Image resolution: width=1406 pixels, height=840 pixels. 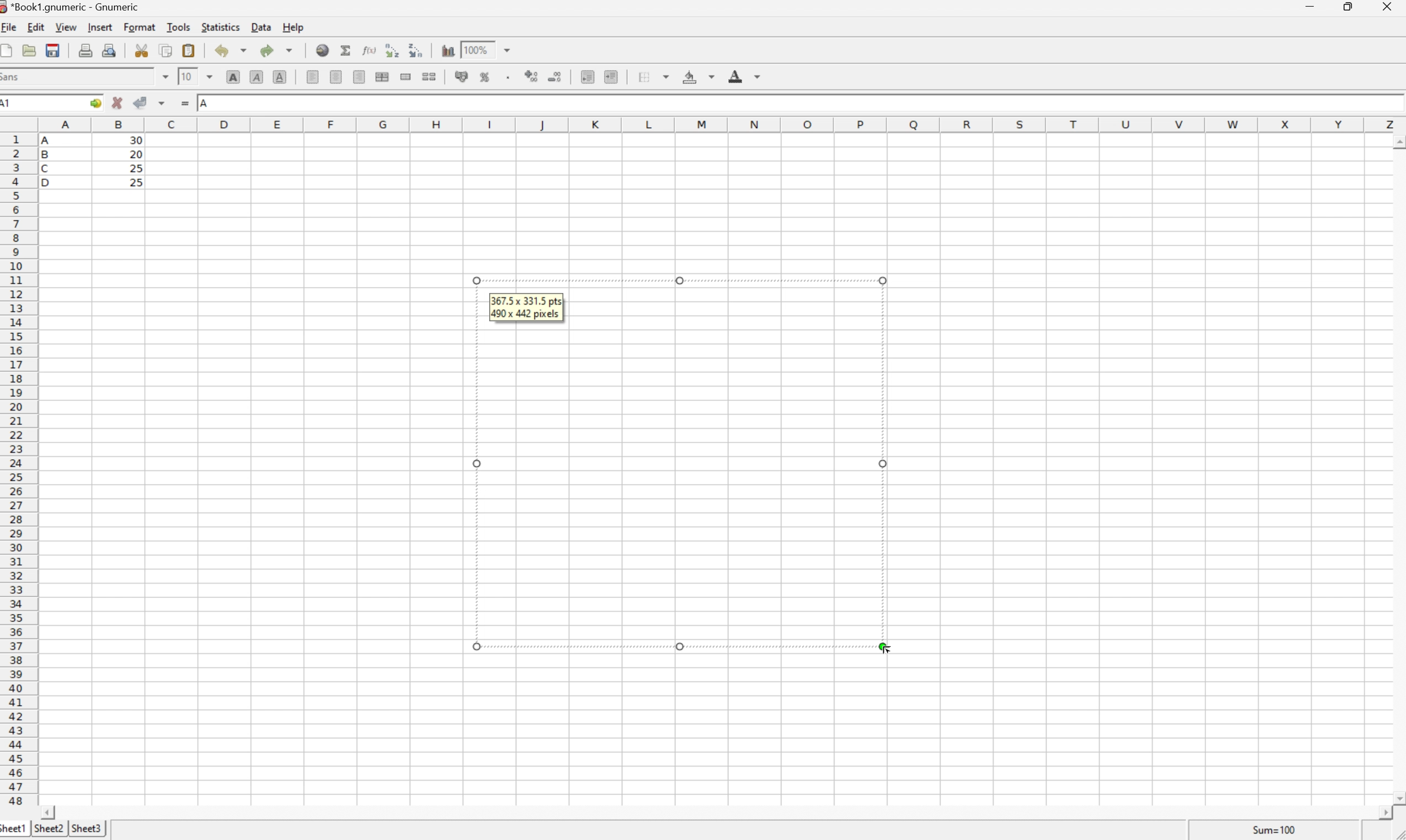 I want to click on Sum = 0, so click(x=1272, y=830).